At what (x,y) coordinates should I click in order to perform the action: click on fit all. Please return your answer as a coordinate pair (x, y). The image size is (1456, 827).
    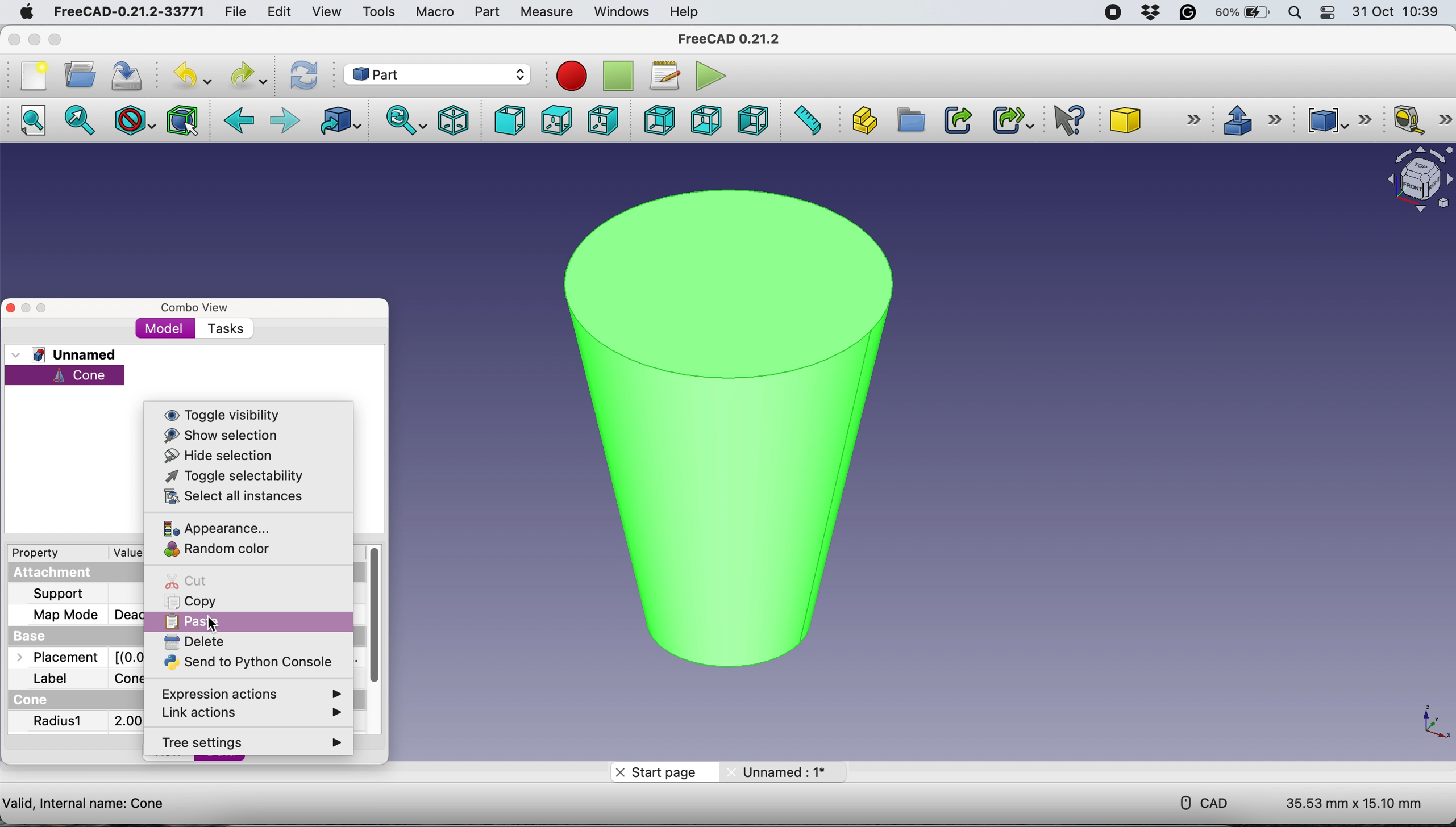
    Looking at the image, I should click on (37, 124).